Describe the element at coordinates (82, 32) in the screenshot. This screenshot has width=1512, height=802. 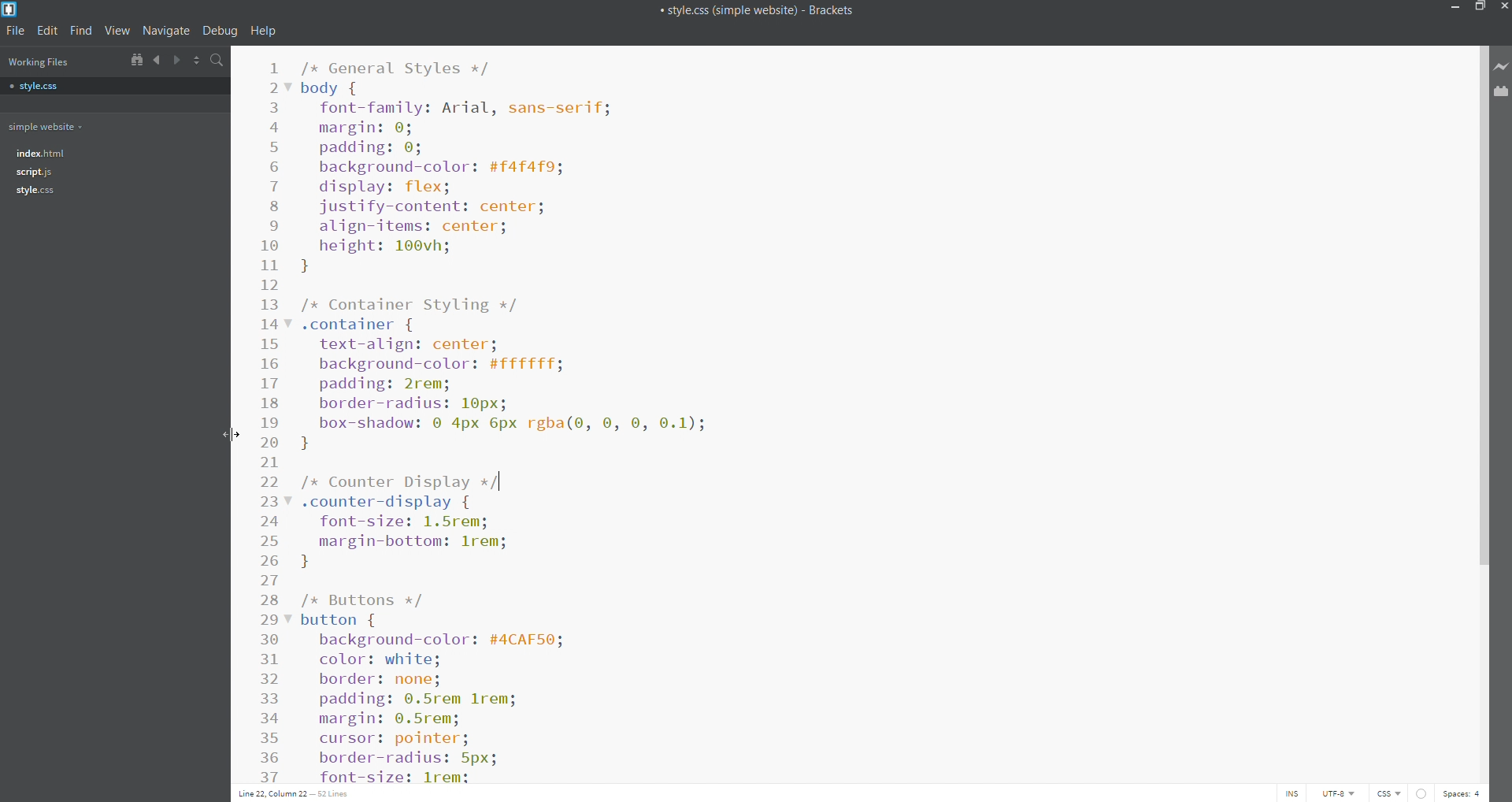
I see `find` at that location.